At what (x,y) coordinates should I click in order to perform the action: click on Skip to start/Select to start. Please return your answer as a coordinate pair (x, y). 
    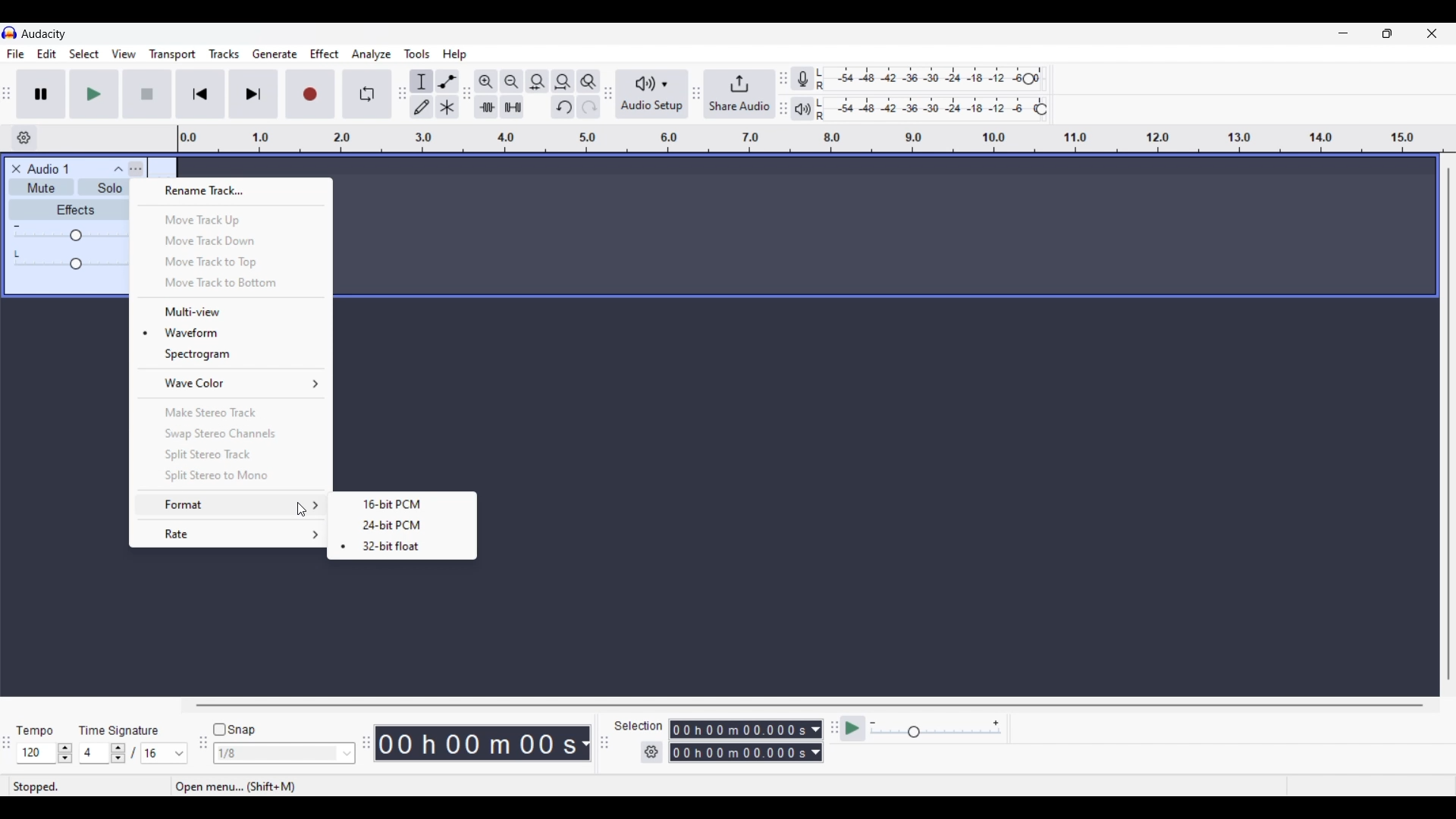
    Looking at the image, I should click on (200, 93).